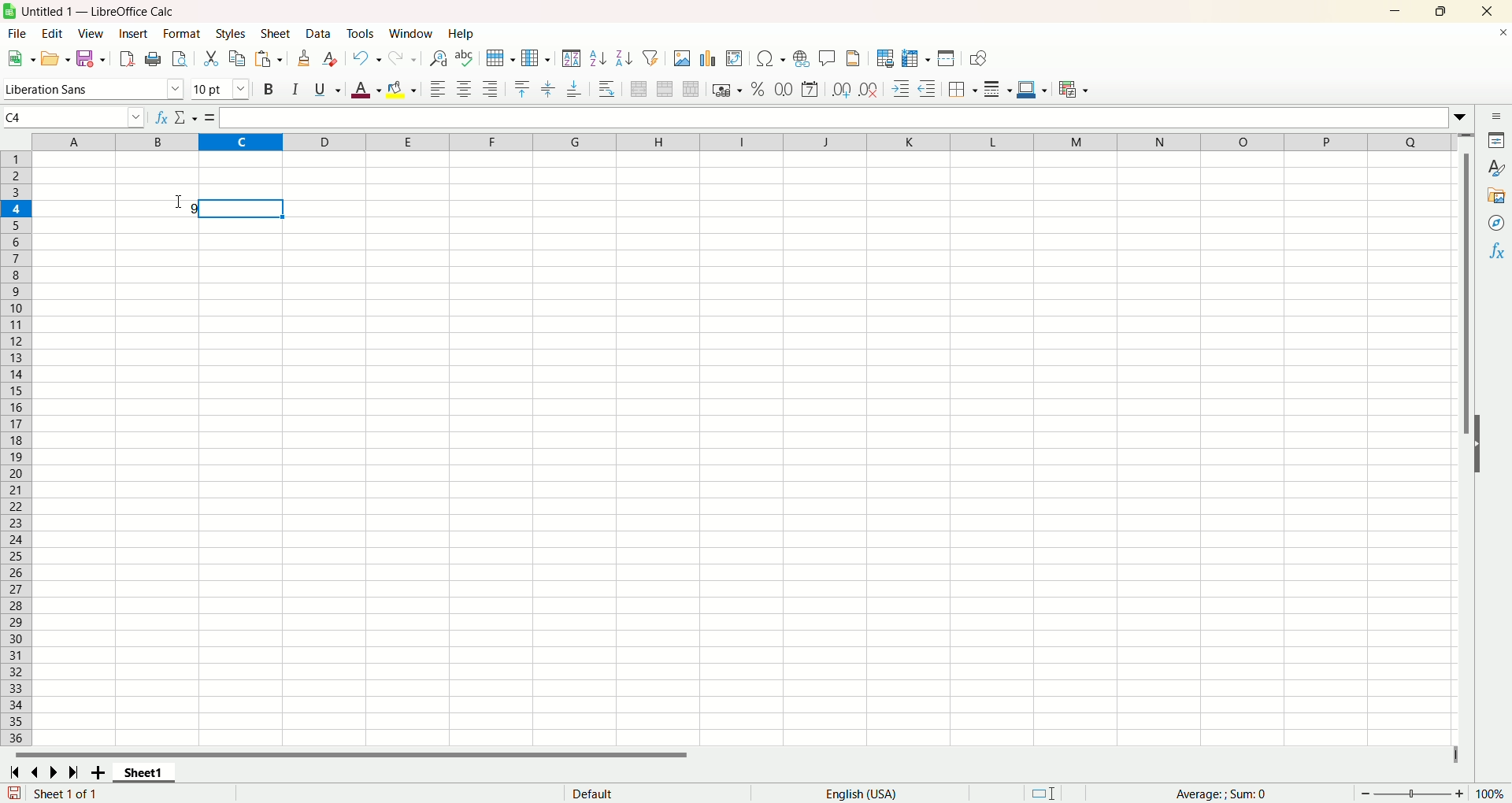 The height and width of the screenshot is (803, 1512). Describe the element at coordinates (1499, 37) in the screenshot. I see `close document` at that location.